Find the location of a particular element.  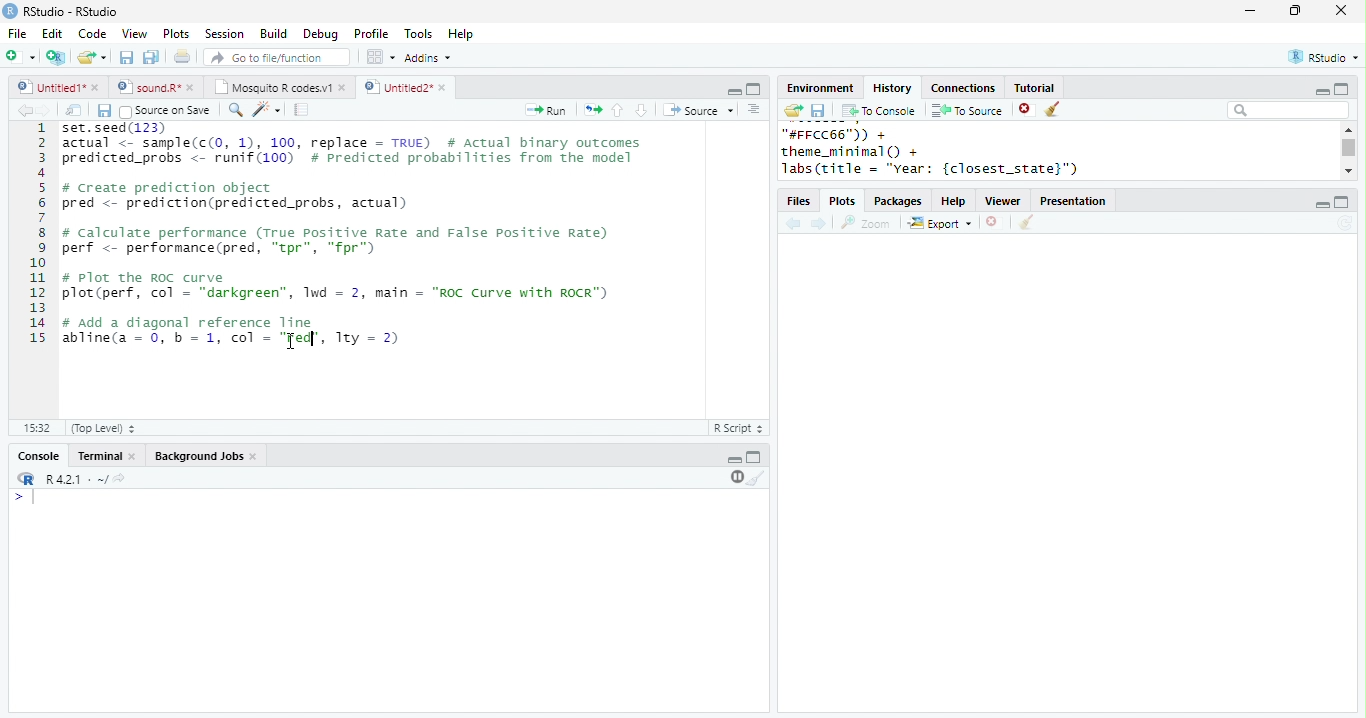

clear is located at coordinates (757, 477).